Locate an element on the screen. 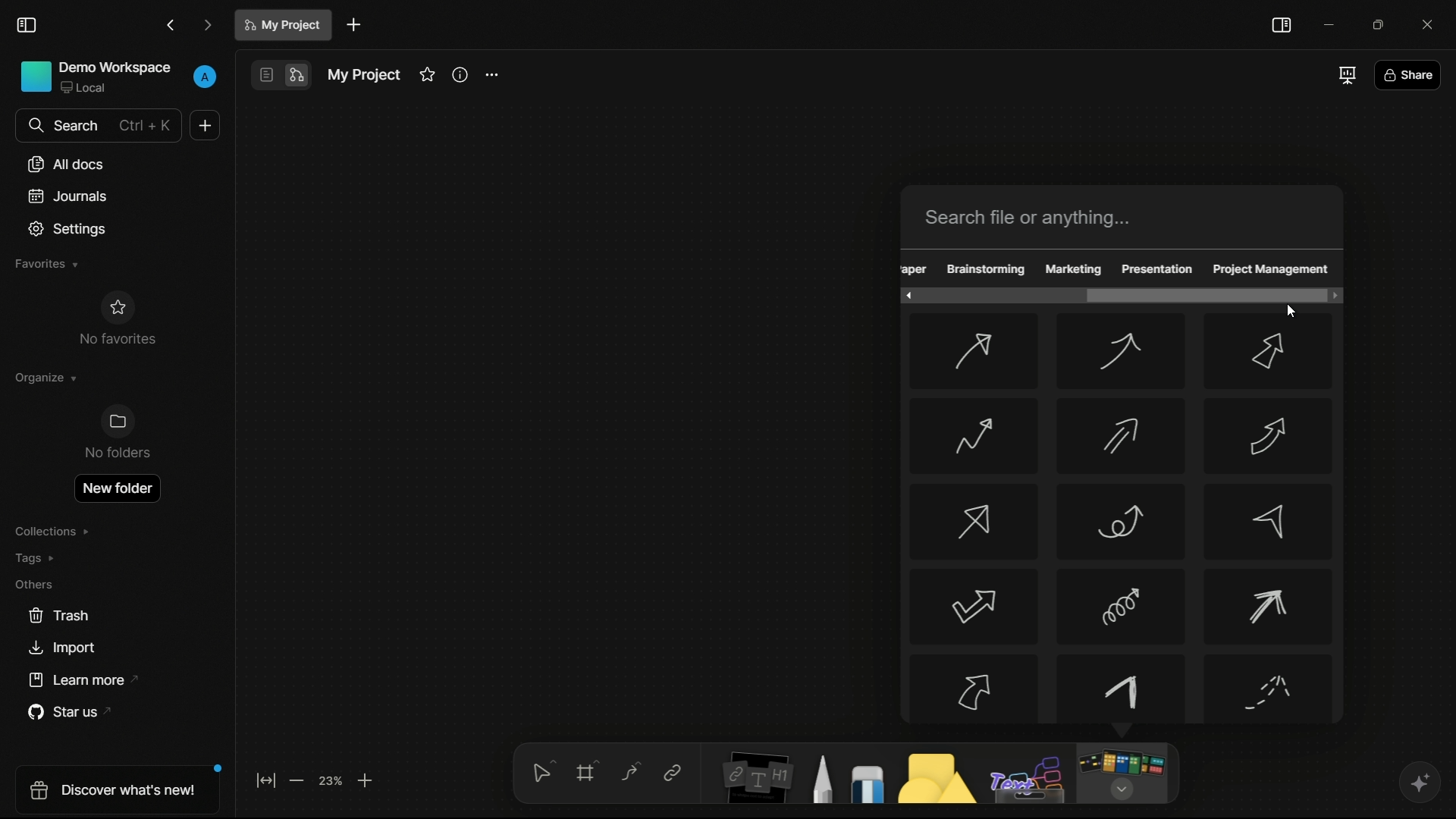  link is located at coordinates (672, 773).